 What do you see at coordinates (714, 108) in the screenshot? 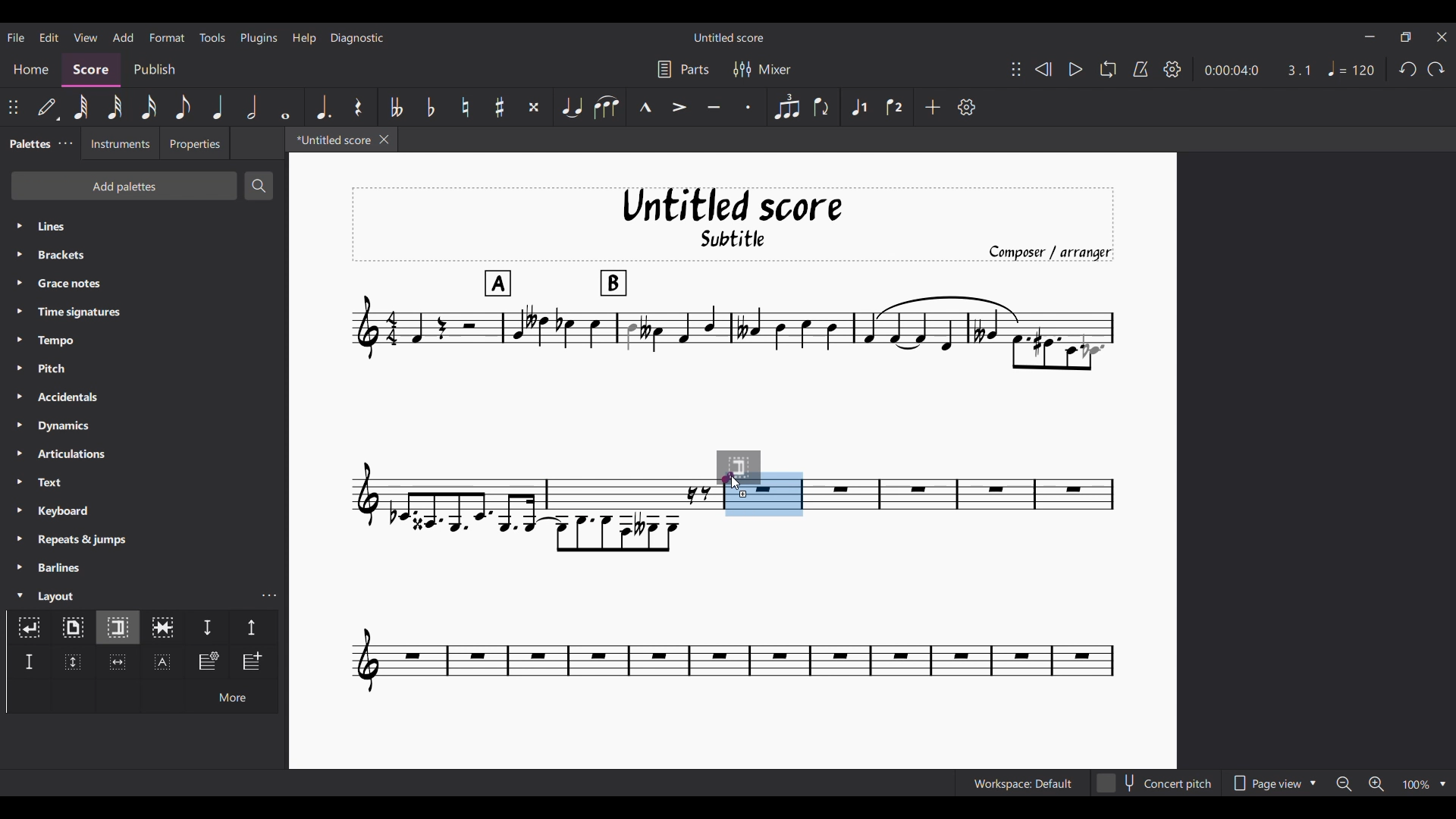
I see `Tenuto` at bounding box center [714, 108].